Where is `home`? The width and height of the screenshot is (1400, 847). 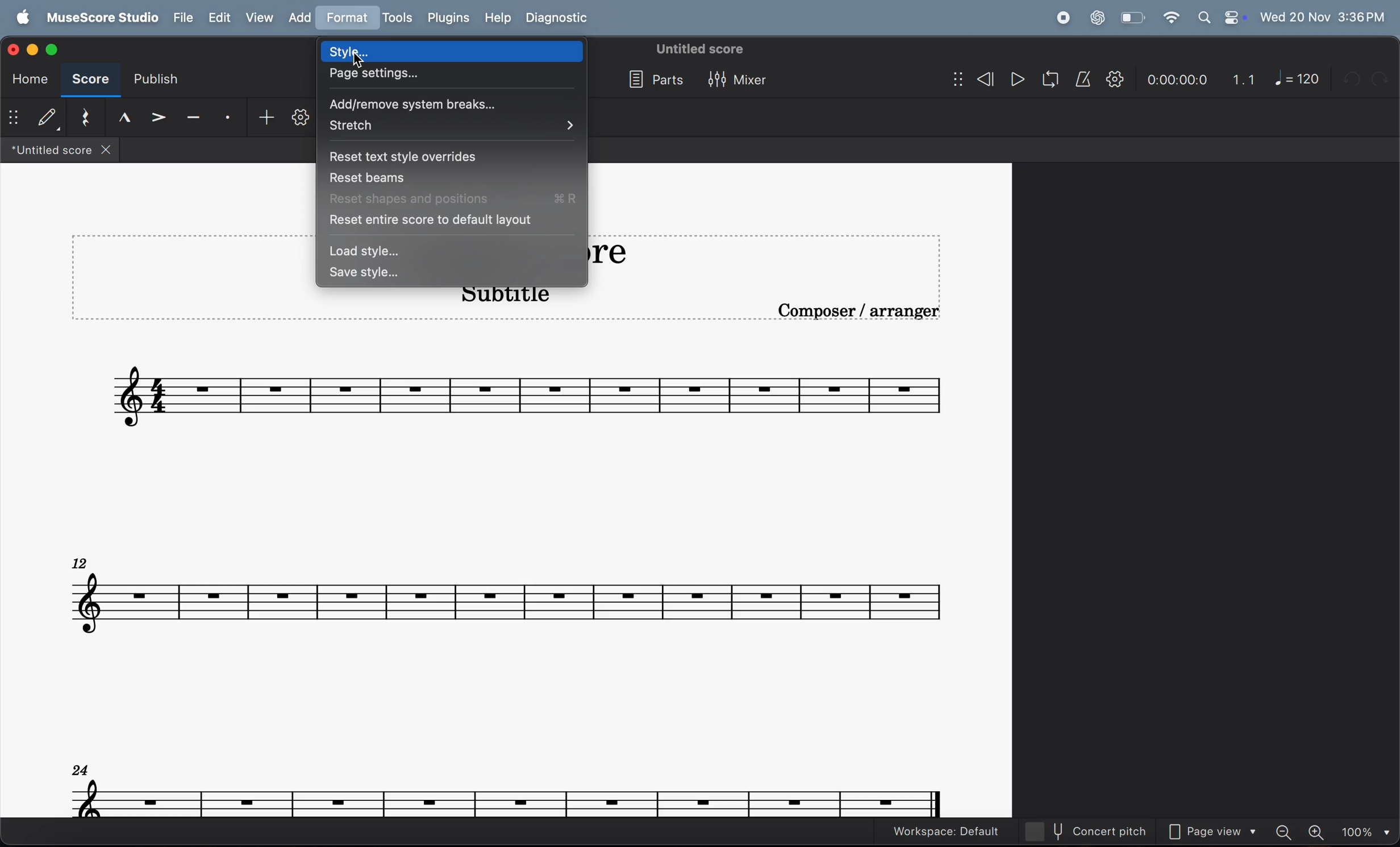
home is located at coordinates (27, 79).